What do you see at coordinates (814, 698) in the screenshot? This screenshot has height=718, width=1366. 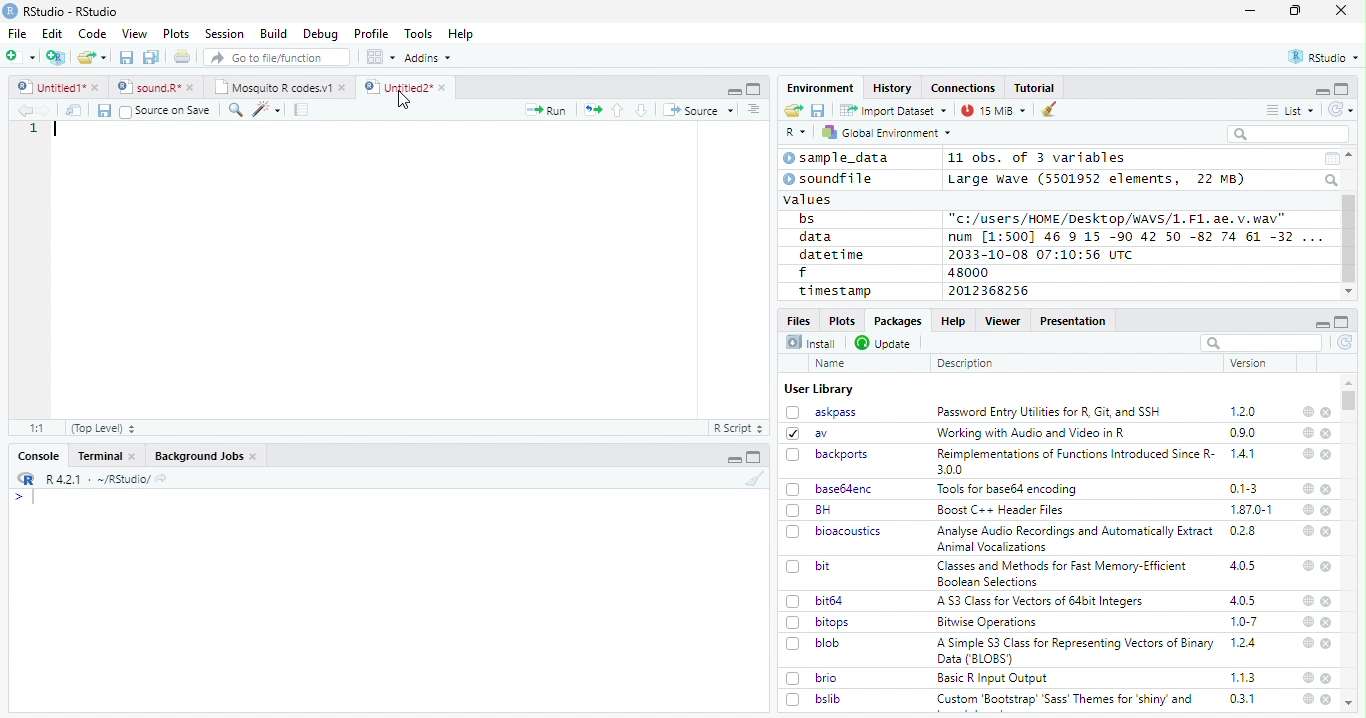 I see `bslib` at bounding box center [814, 698].